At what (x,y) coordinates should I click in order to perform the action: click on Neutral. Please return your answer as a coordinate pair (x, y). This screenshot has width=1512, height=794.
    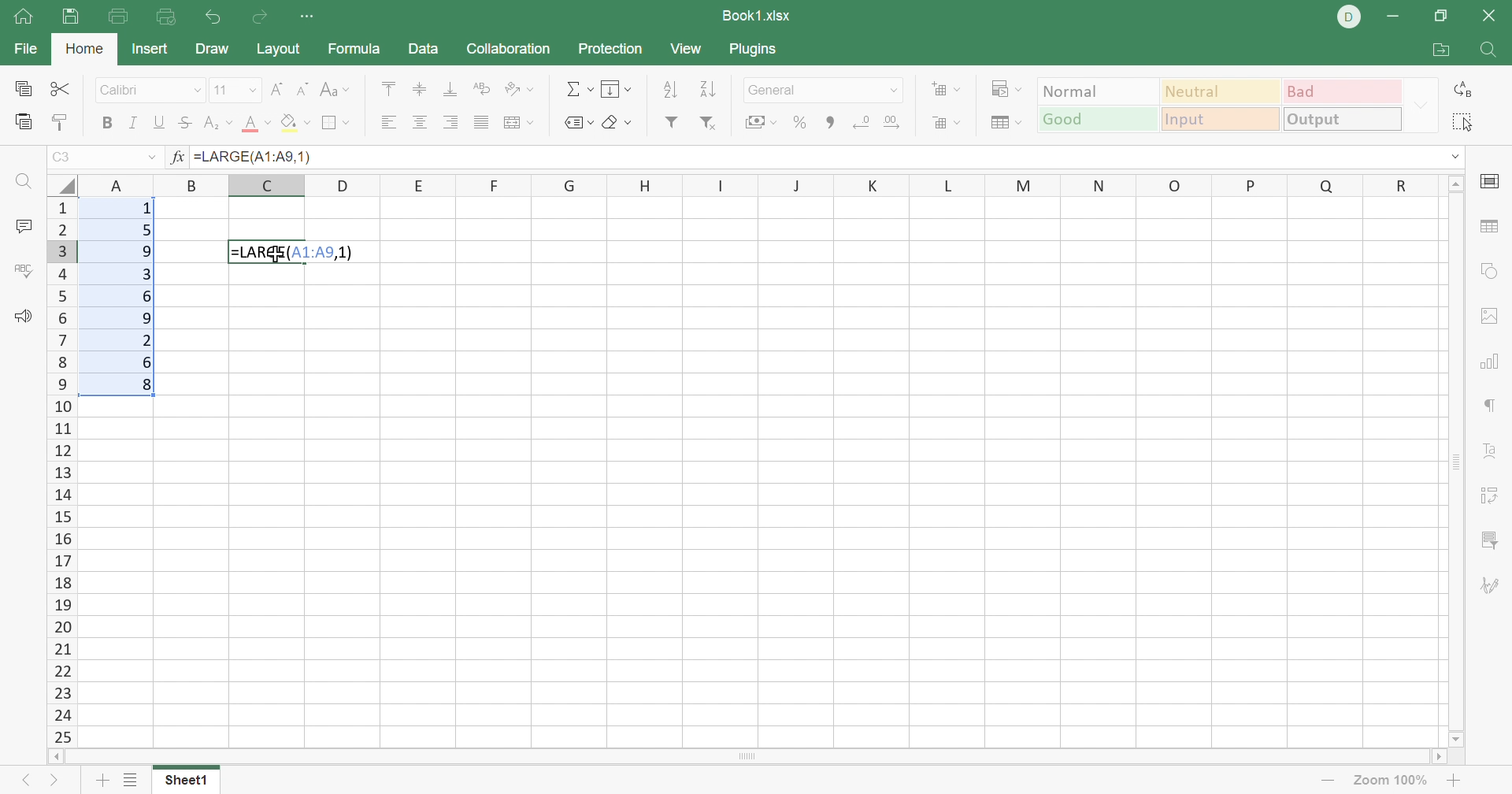
    Looking at the image, I should click on (1221, 92).